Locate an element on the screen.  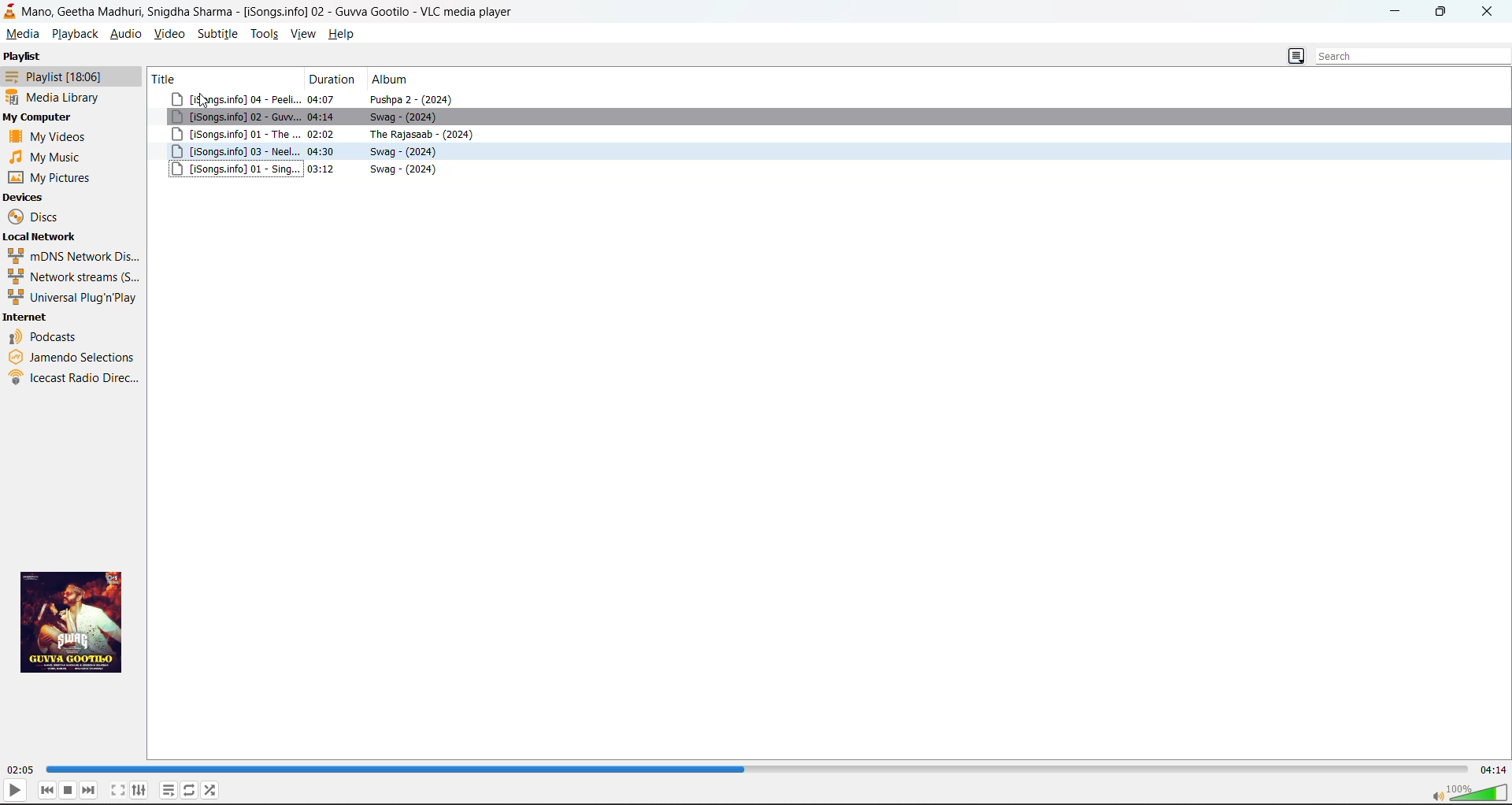
song is located at coordinates (830, 135).